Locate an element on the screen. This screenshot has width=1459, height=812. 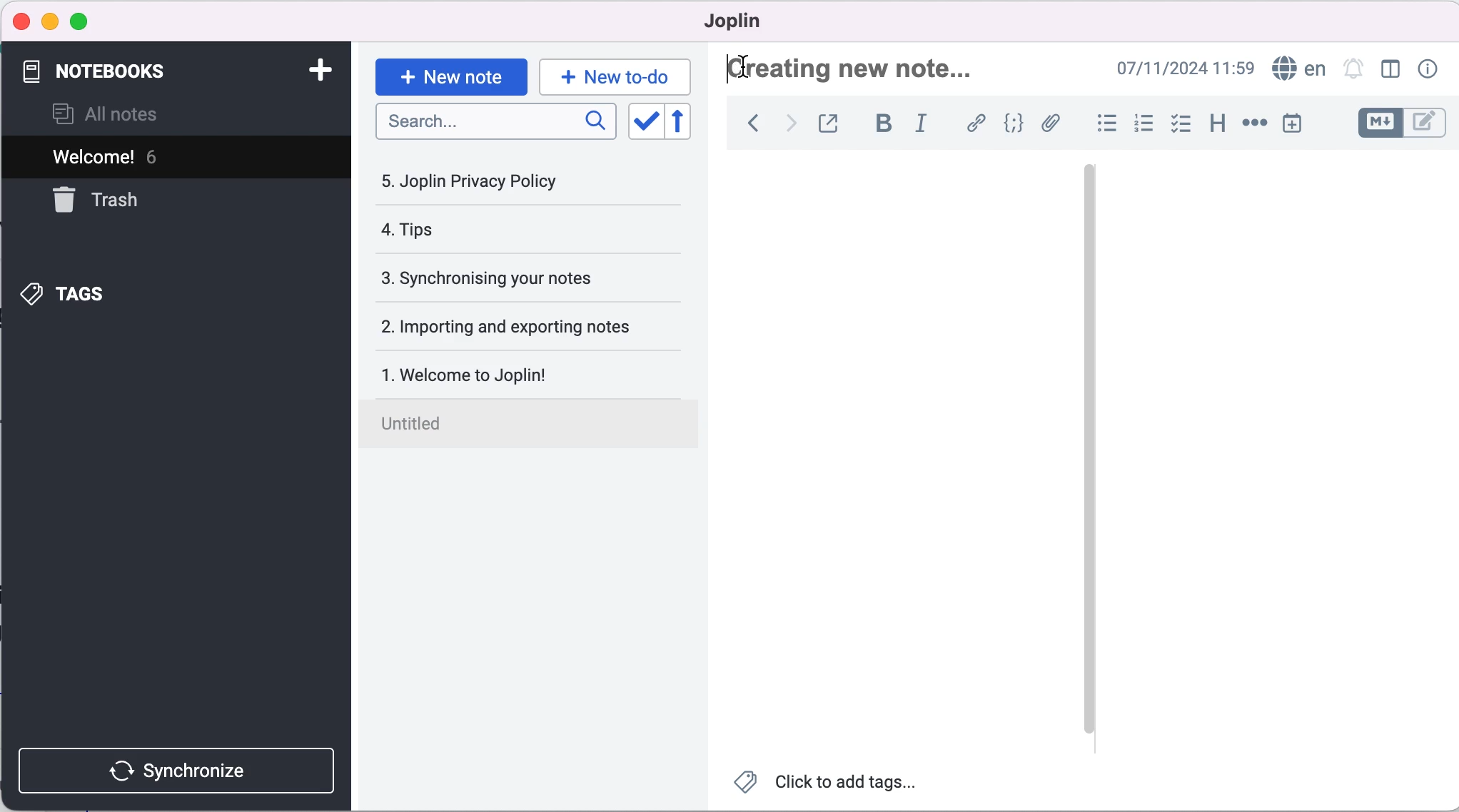
search bar is located at coordinates (493, 123).